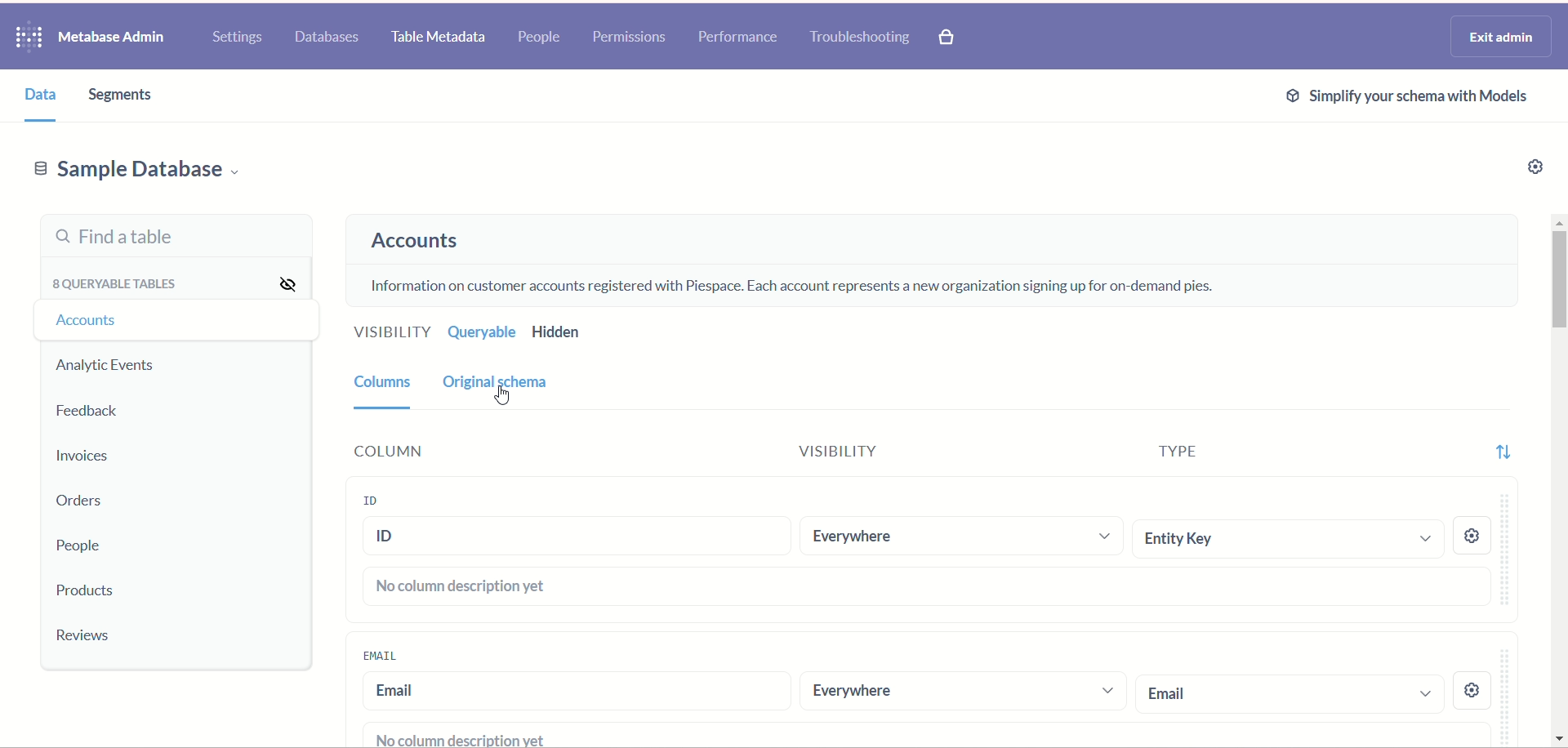 The width and height of the screenshot is (1568, 748). What do you see at coordinates (563, 332) in the screenshot?
I see `hidden` at bounding box center [563, 332].